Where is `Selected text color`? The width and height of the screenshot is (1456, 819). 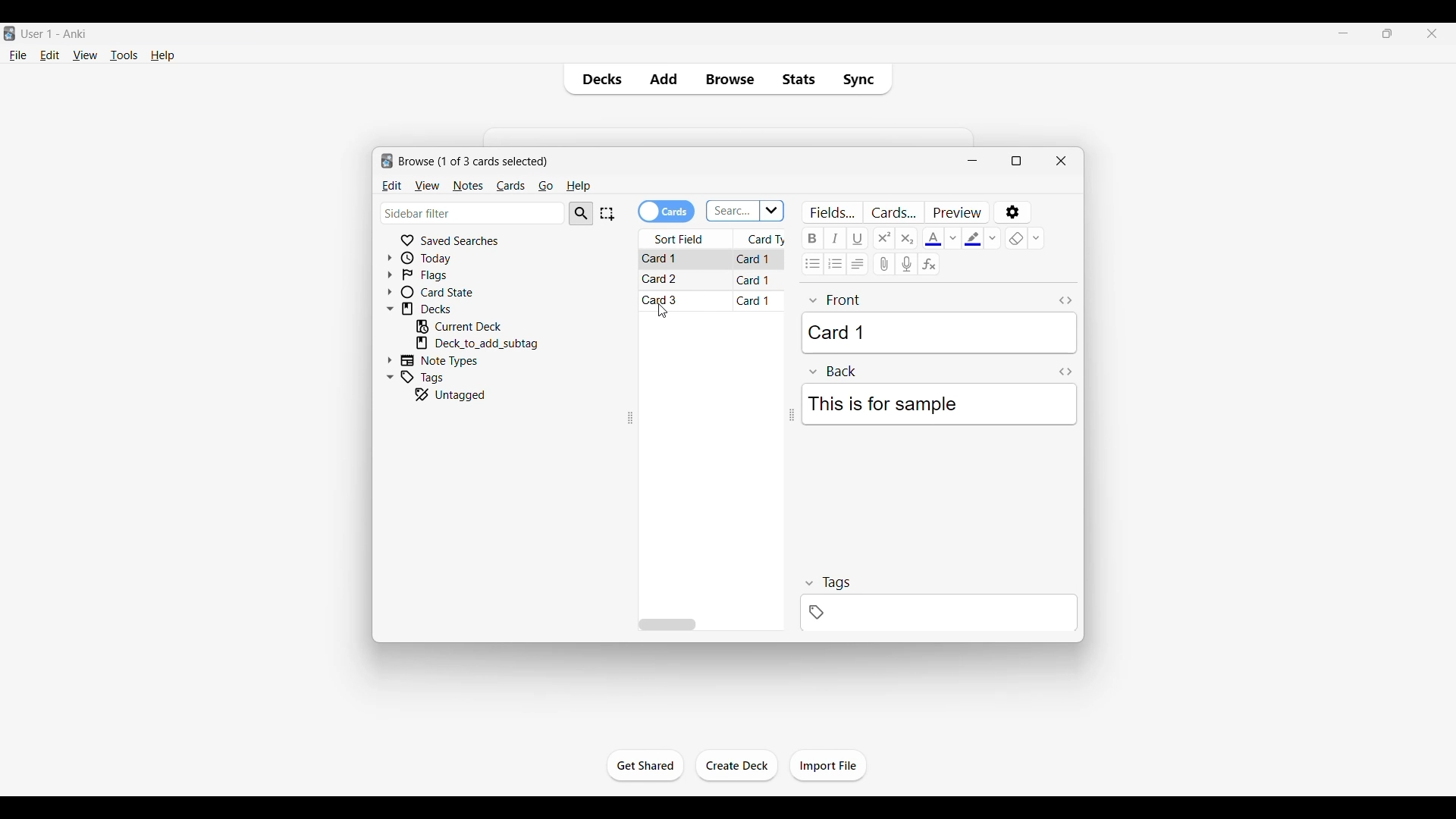
Selected text color is located at coordinates (933, 239).